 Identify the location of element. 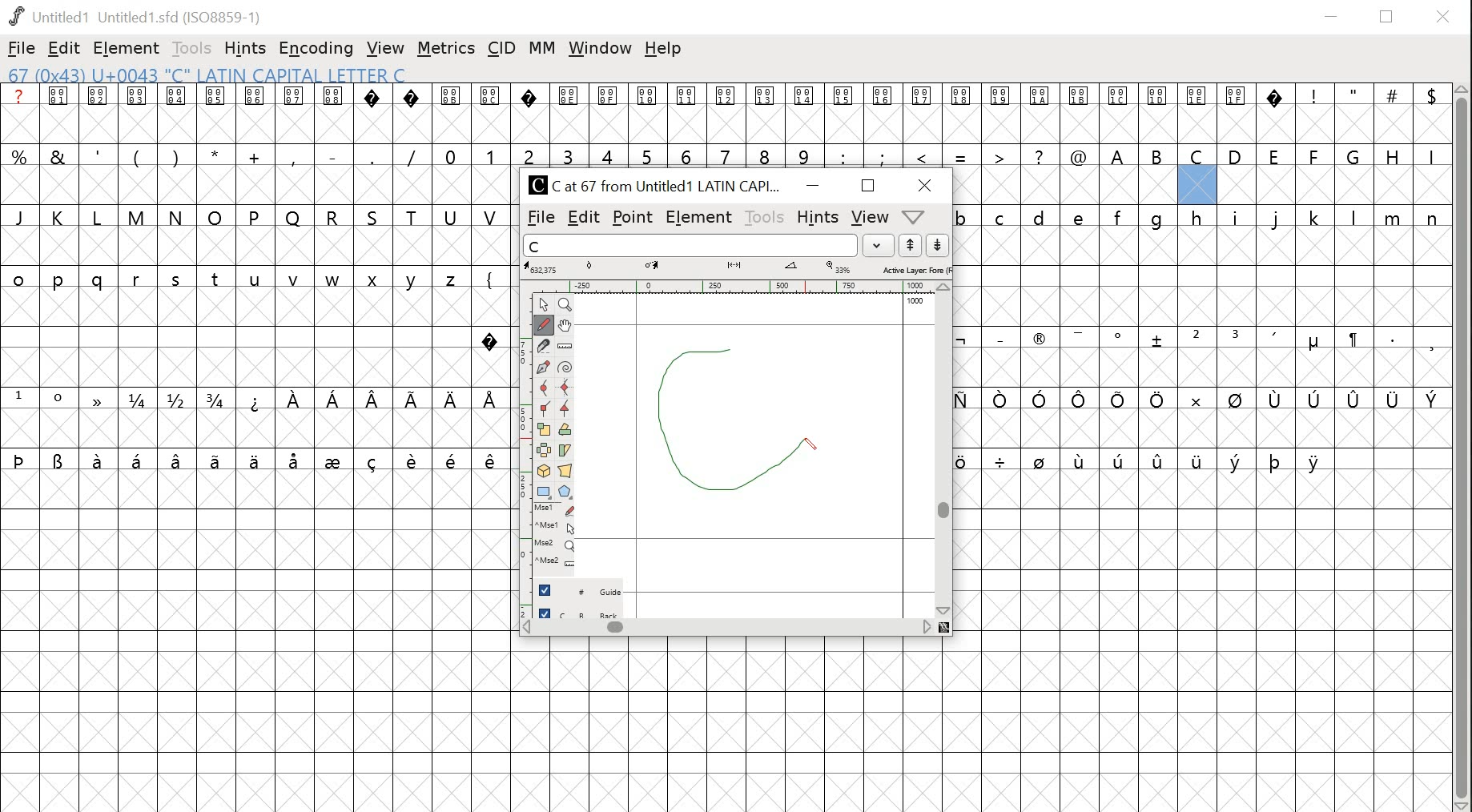
(126, 48).